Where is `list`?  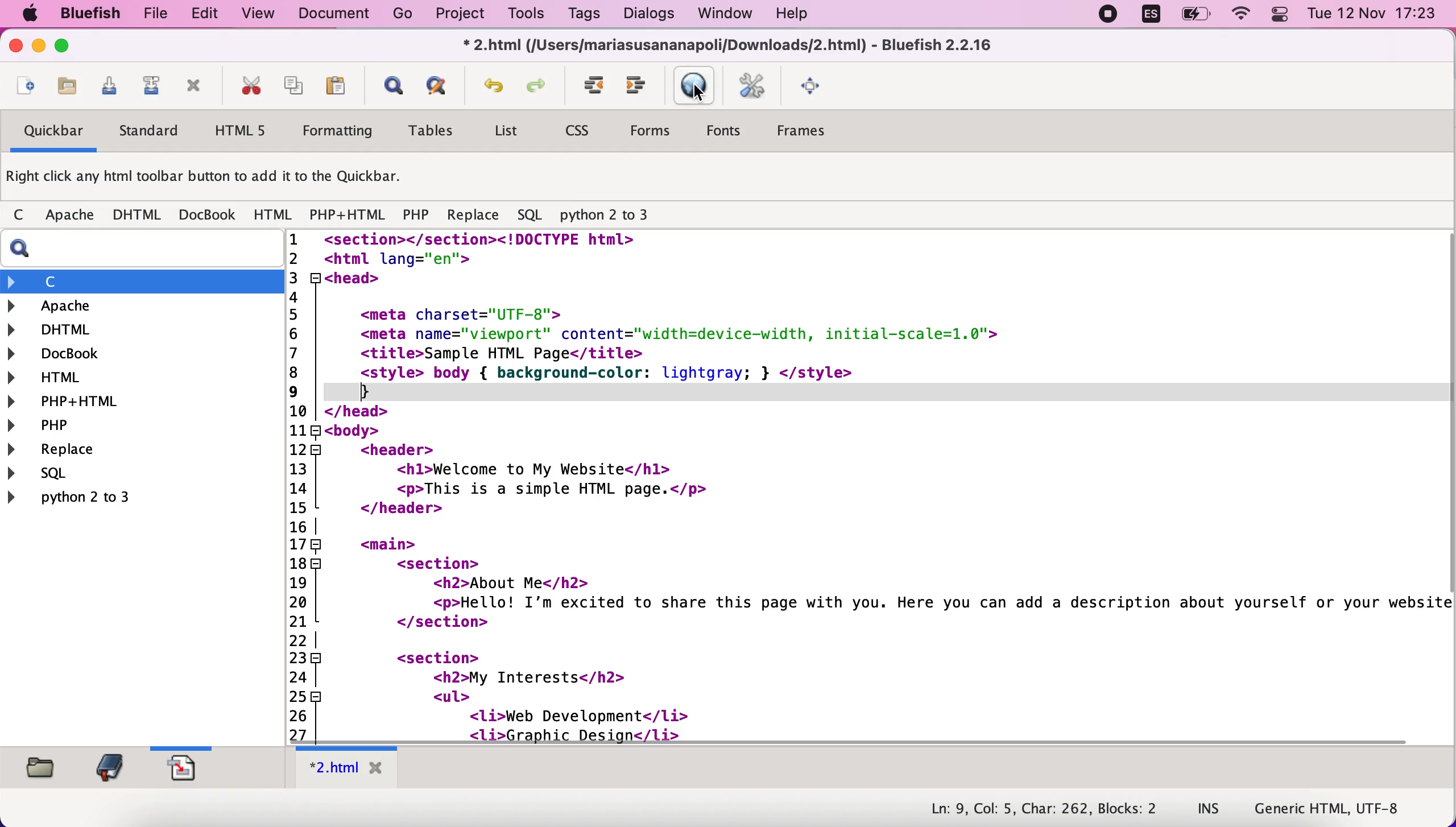 list is located at coordinates (508, 133).